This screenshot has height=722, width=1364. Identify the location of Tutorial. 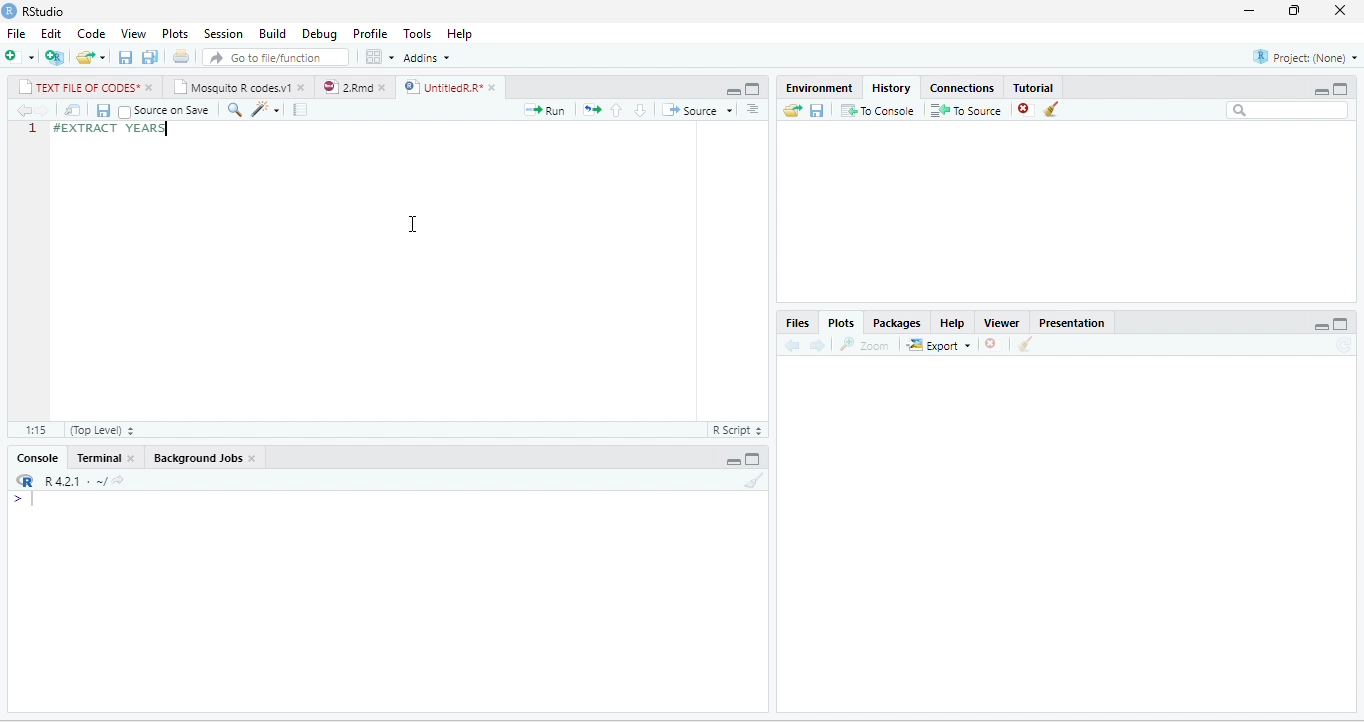
(1034, 88).